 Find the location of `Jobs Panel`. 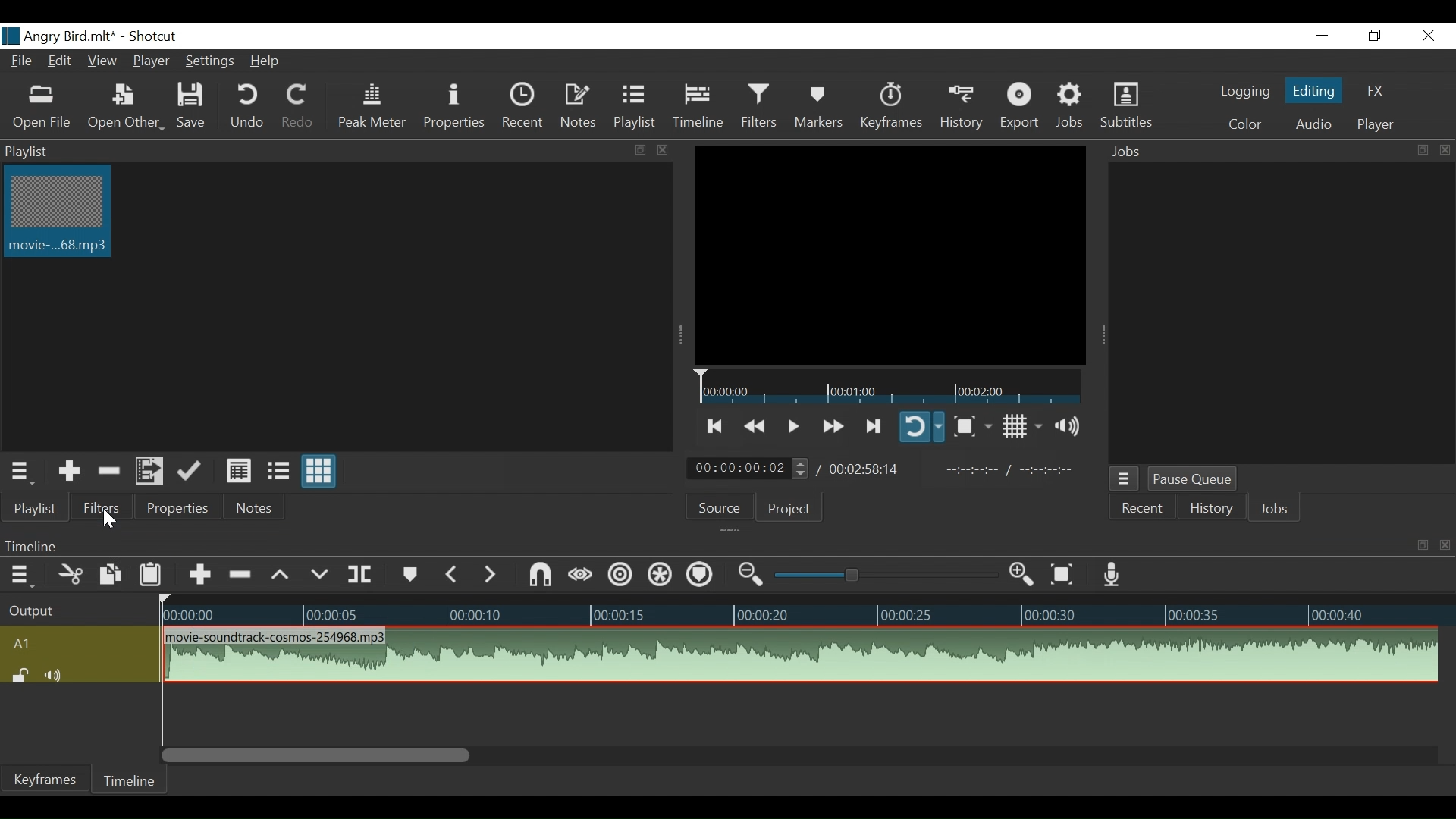

Jobs Panel is located at coordinates (1278, 312).